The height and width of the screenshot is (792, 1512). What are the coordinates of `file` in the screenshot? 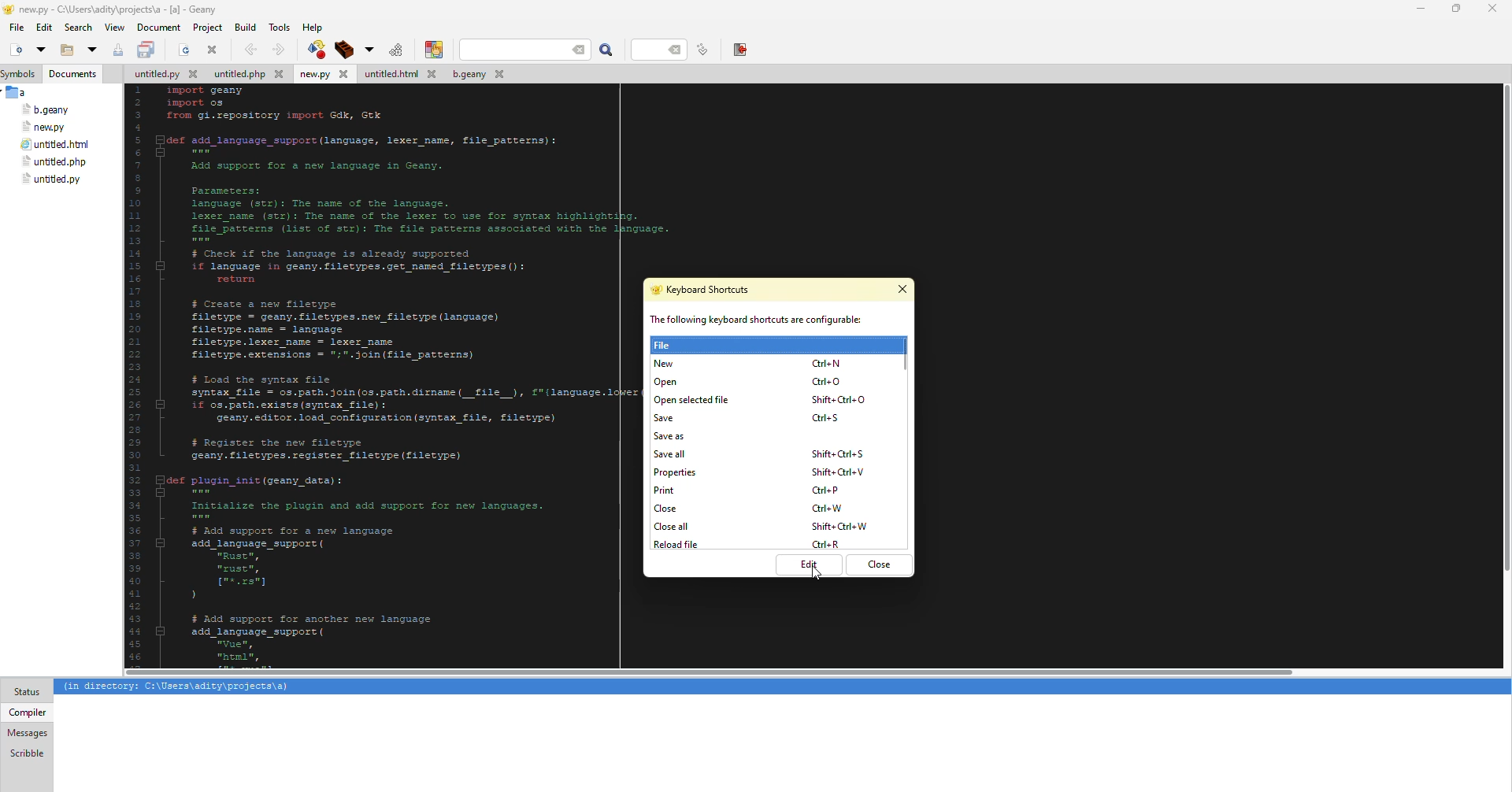 It's located at (53, 162).